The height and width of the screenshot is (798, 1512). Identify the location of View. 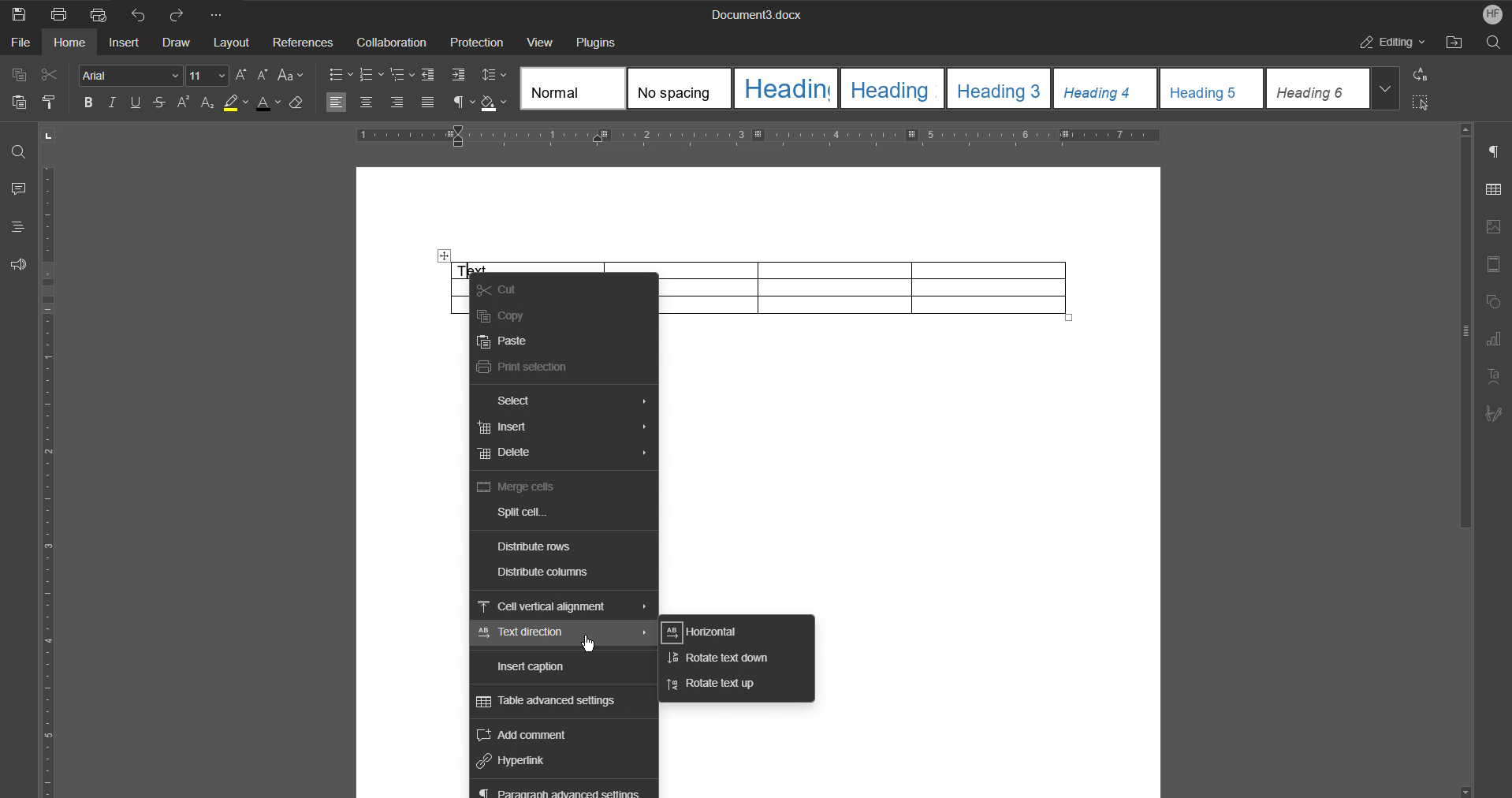
(540, 41).